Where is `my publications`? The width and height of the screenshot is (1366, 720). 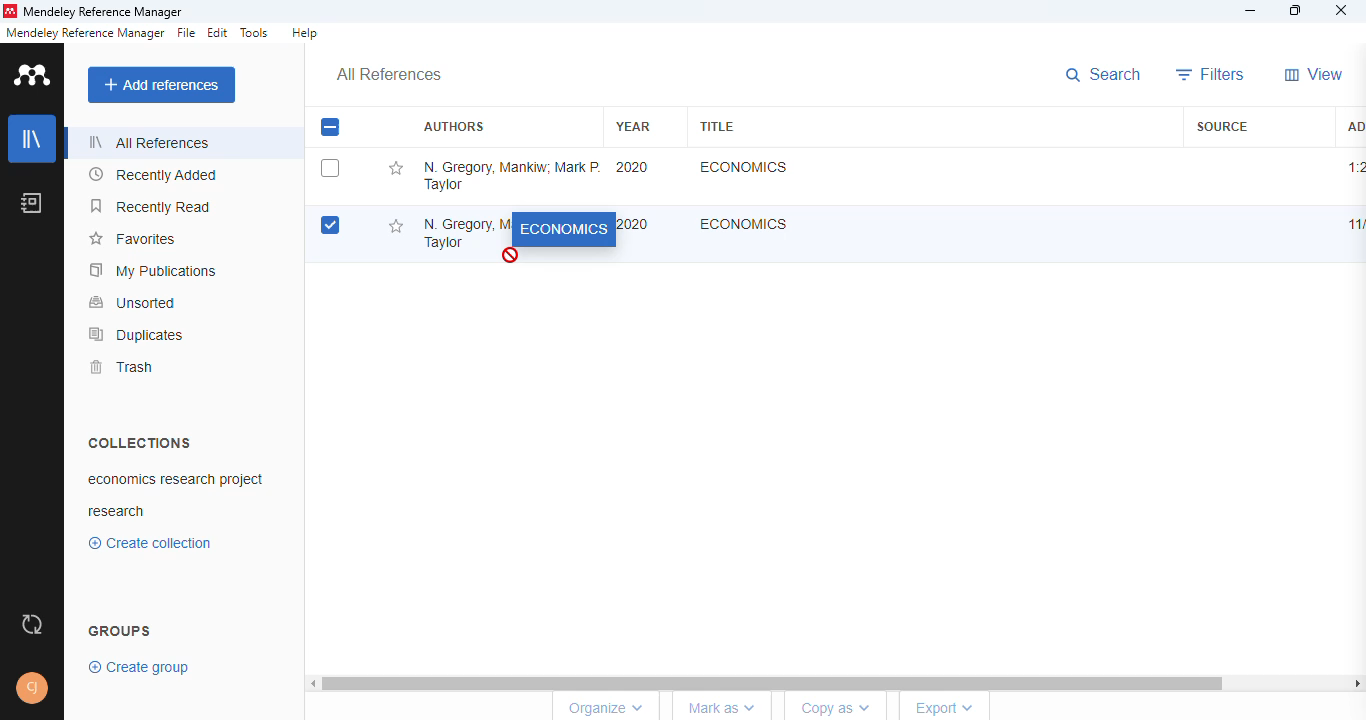 my publications is located at coordinates (154, 270).